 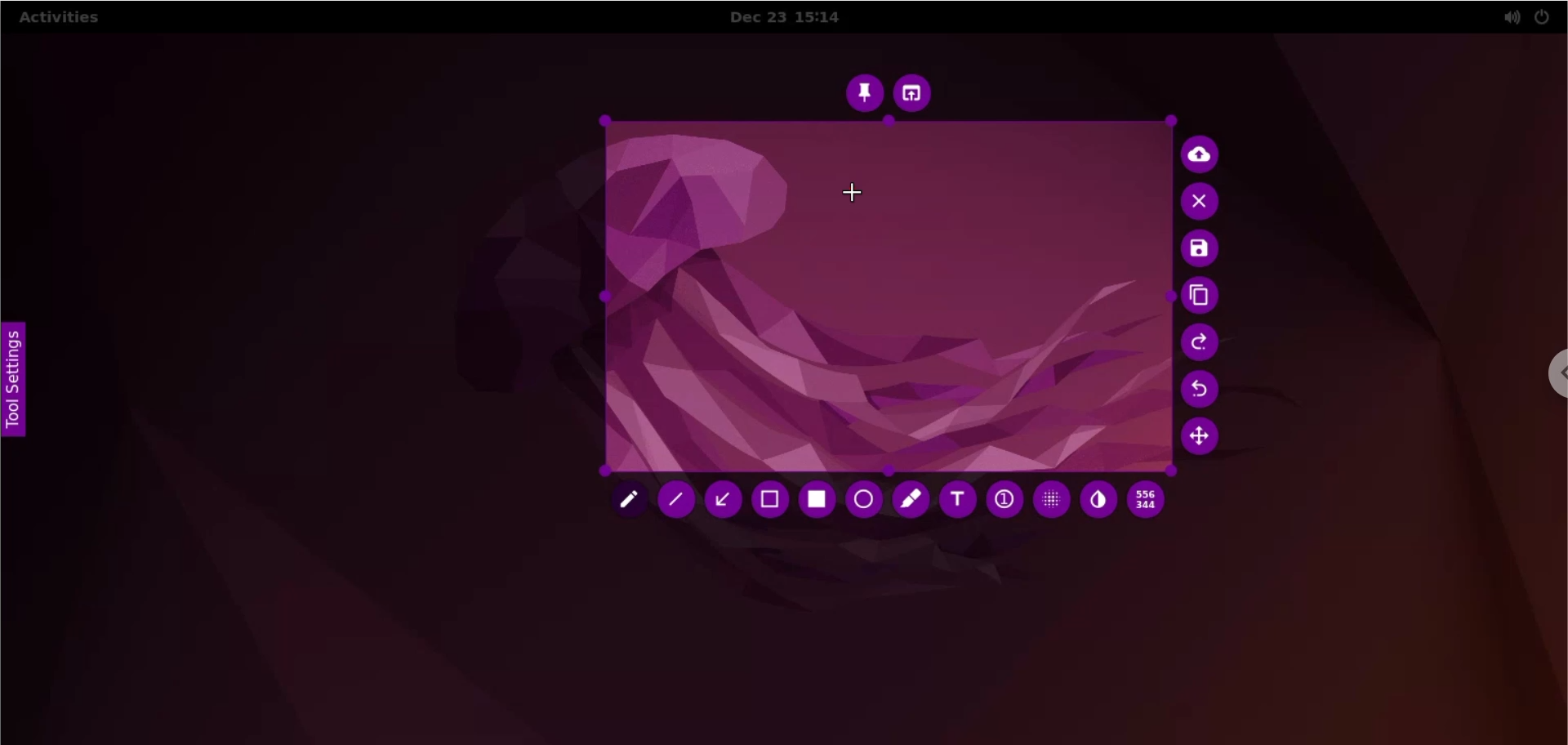 What do you see at coordinates (1053, 502) in the screenshot?
I see `pixelette` at bounding box center [1053, 502].